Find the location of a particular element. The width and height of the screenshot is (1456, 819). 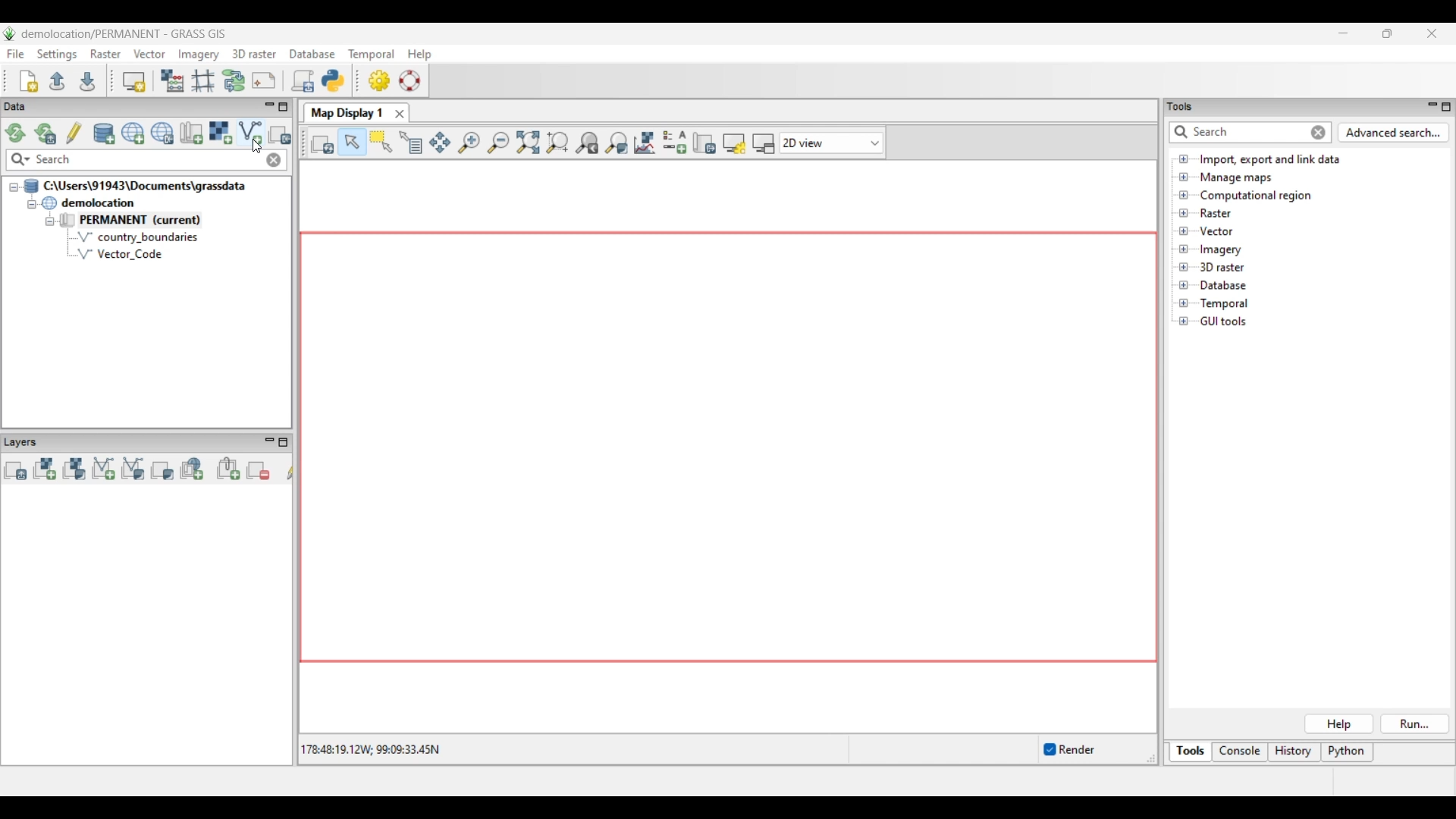

Search specific maps is located at coordinates (19, 160).